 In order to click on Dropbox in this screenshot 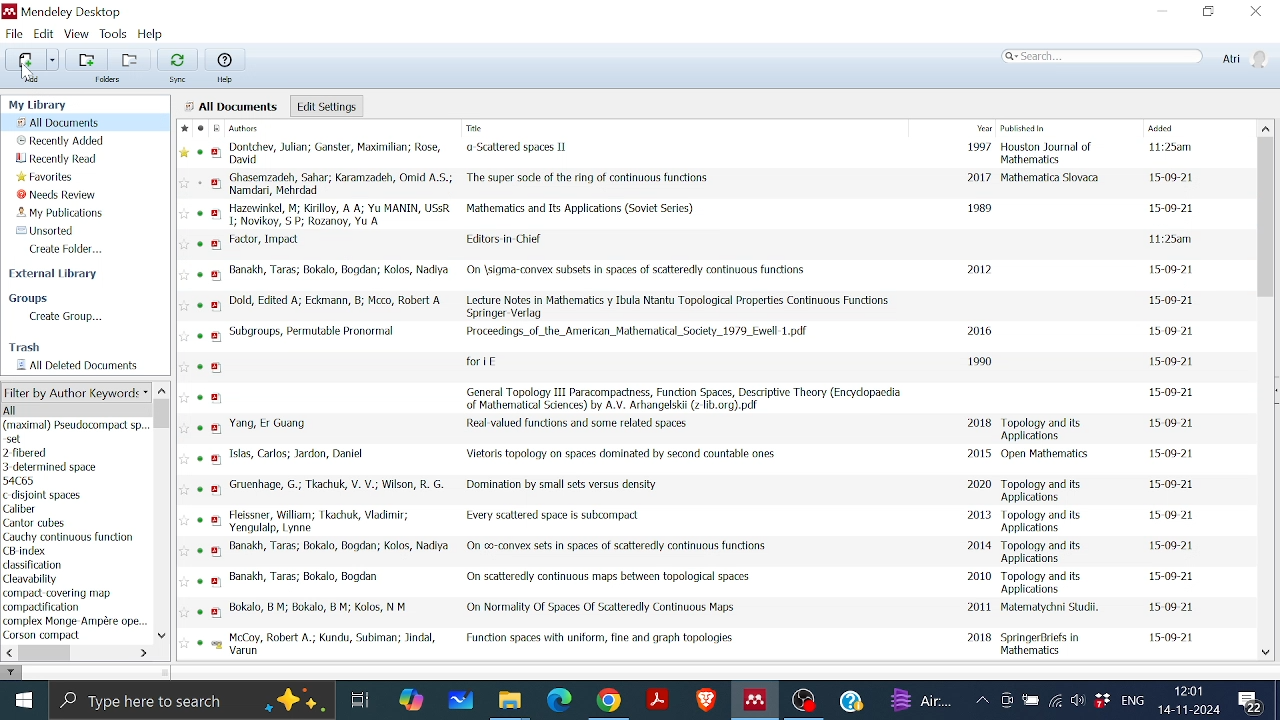, I will do `click(1101, 699)`.